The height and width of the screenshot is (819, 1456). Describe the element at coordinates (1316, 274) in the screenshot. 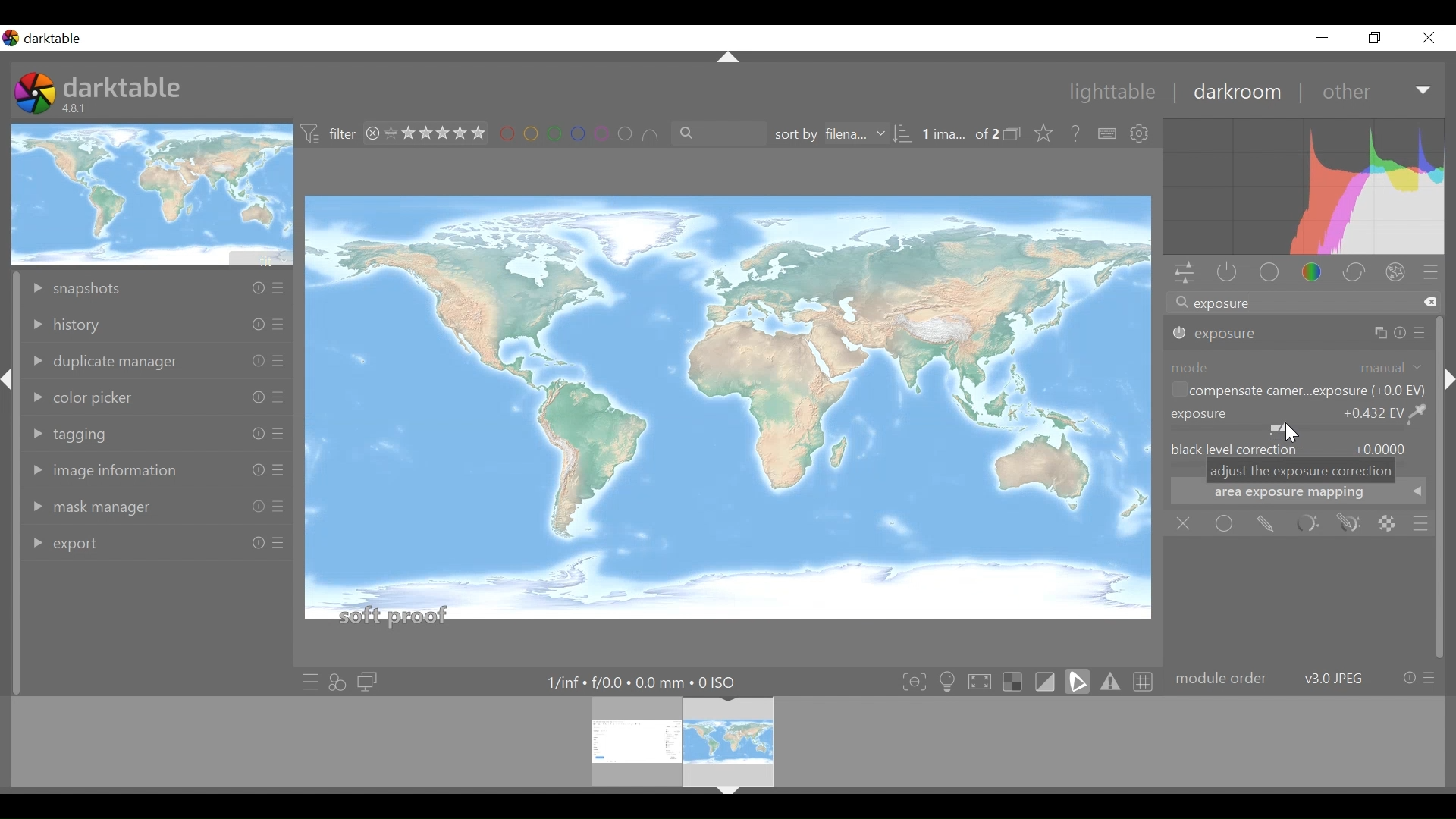

I see `color` at that location.